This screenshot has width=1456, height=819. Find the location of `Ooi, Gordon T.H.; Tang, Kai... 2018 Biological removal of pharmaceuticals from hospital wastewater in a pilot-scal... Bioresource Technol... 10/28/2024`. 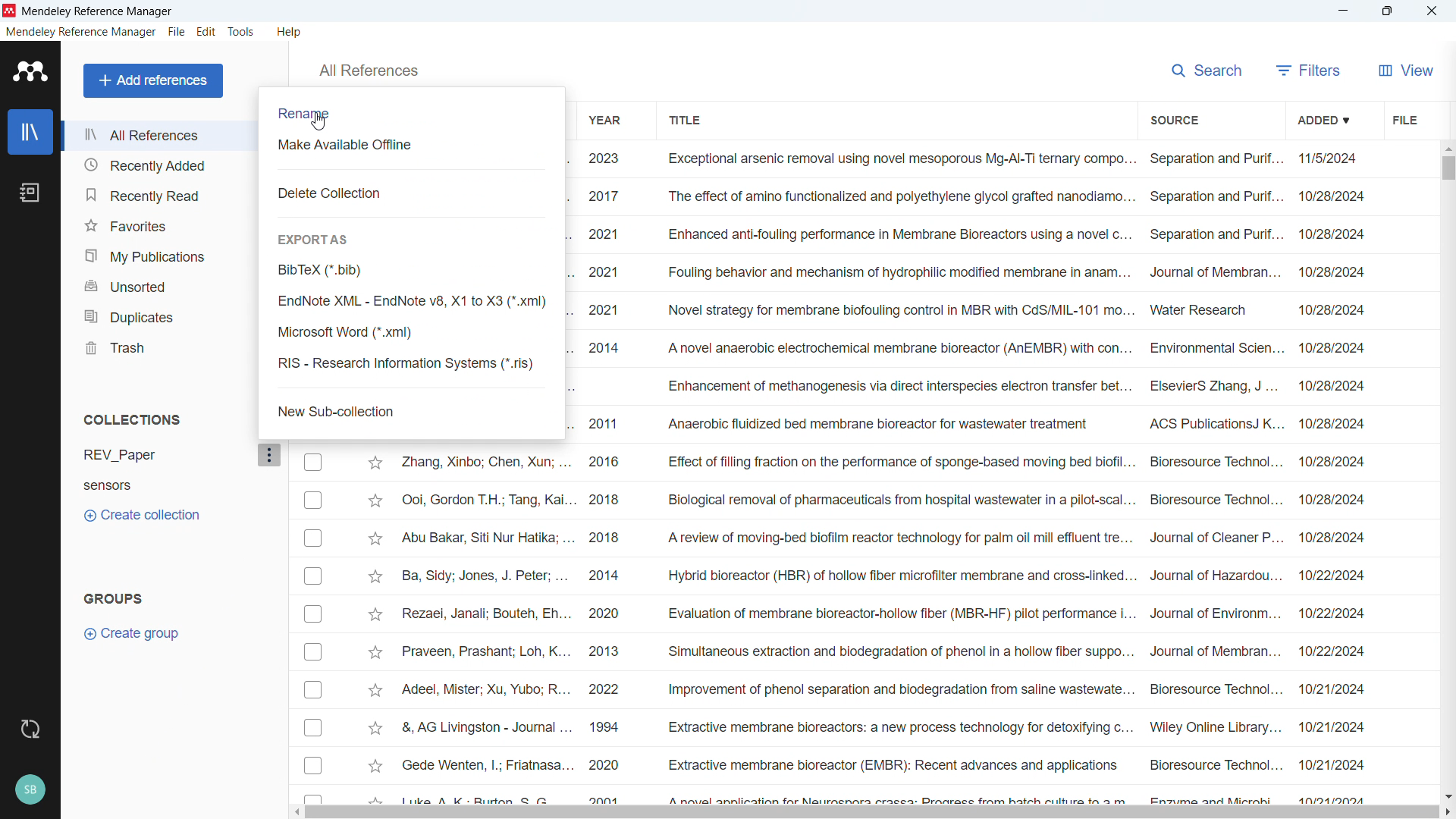

Ooi, Gordon T.H.; Tang, Kai... 2018 Biological removal of pharmaceuticals from hospital wastewater in a pilot-scal... Bioresource Technol... 10/28/2024 is located at coordinates (883, 499).